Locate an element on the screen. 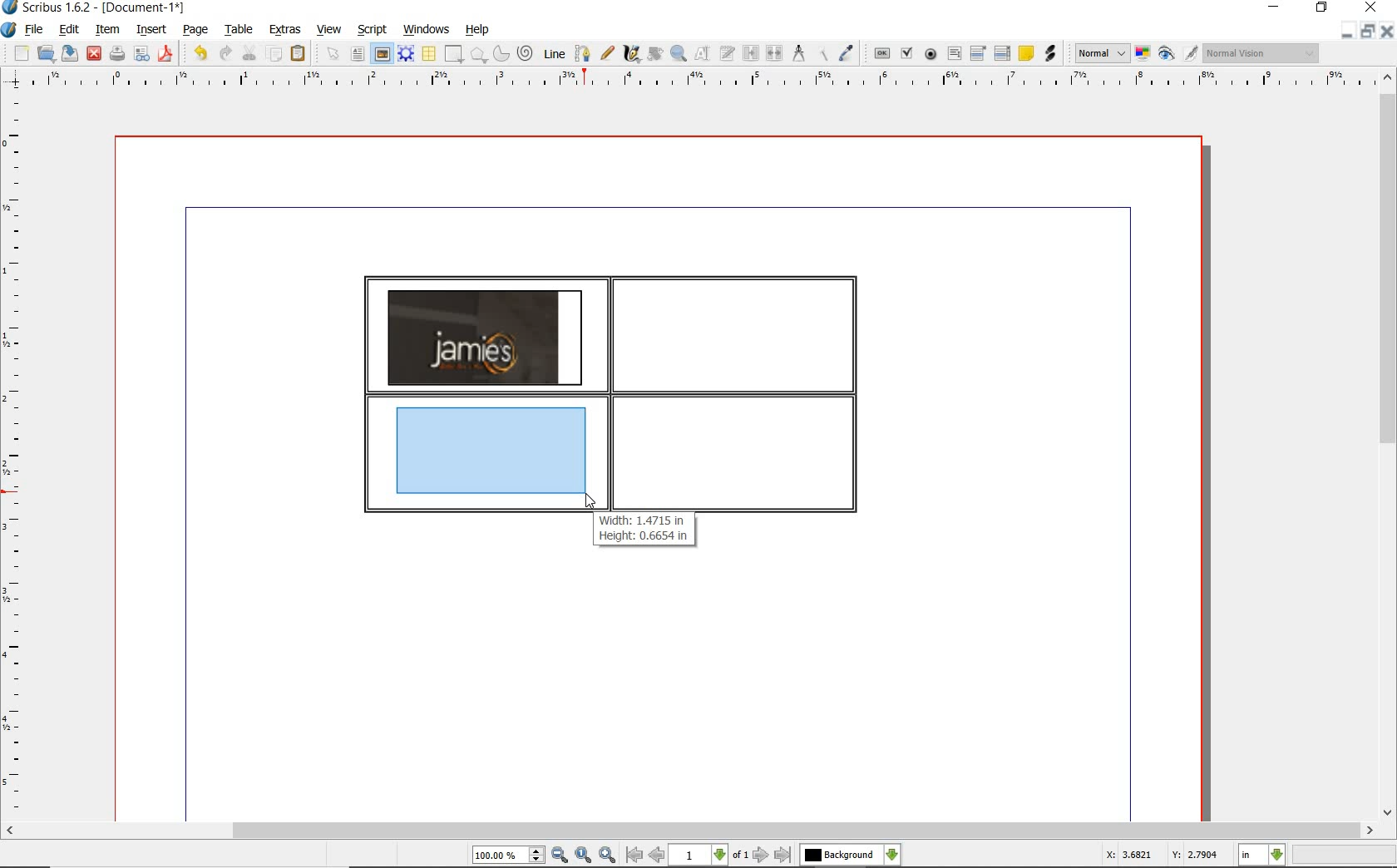 Image resolution: width=1397 pixels, height=868 pixels. zoom in or out is located at coordinates (678, 54).